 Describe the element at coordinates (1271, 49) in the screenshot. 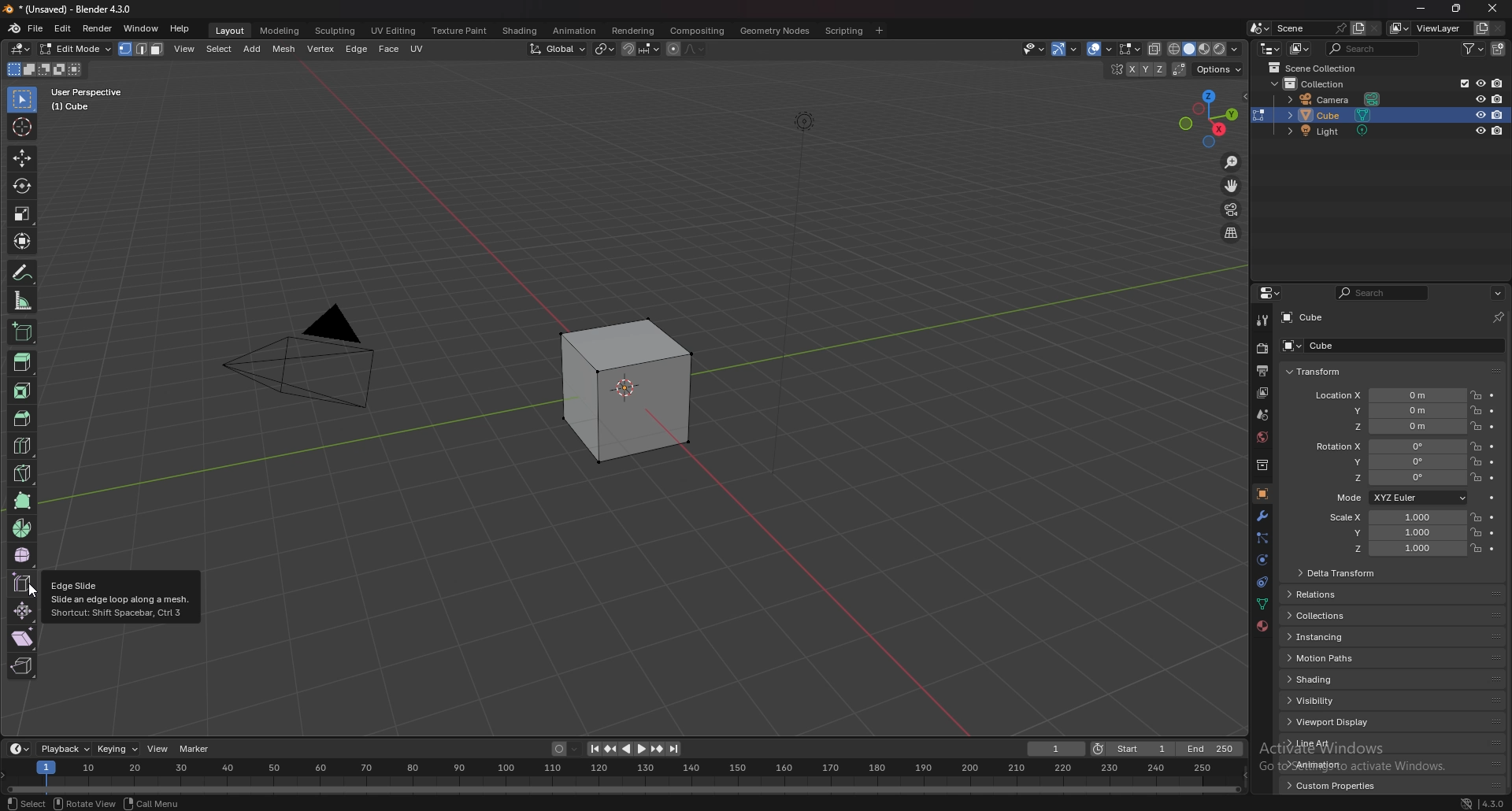

I see `editor type` at that location.